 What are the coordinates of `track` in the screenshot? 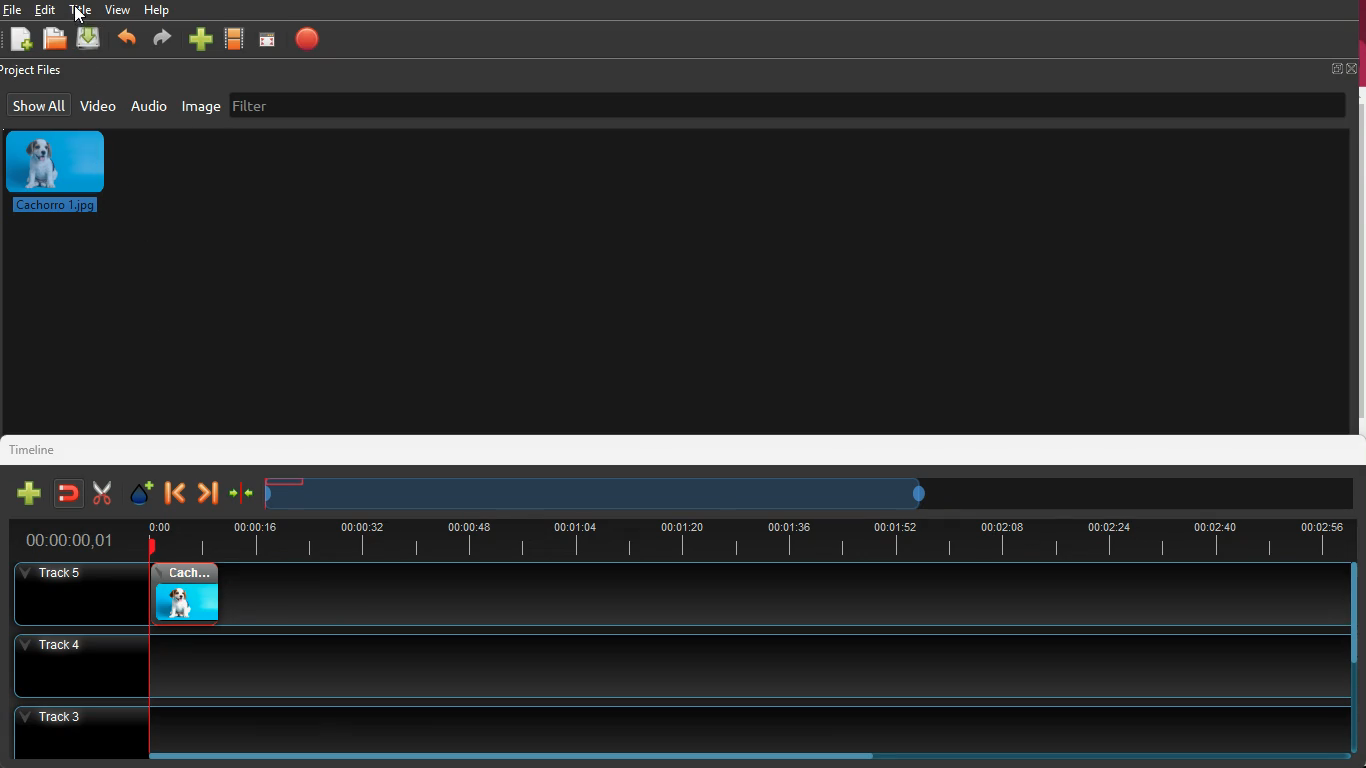 It's located at (785, 595).